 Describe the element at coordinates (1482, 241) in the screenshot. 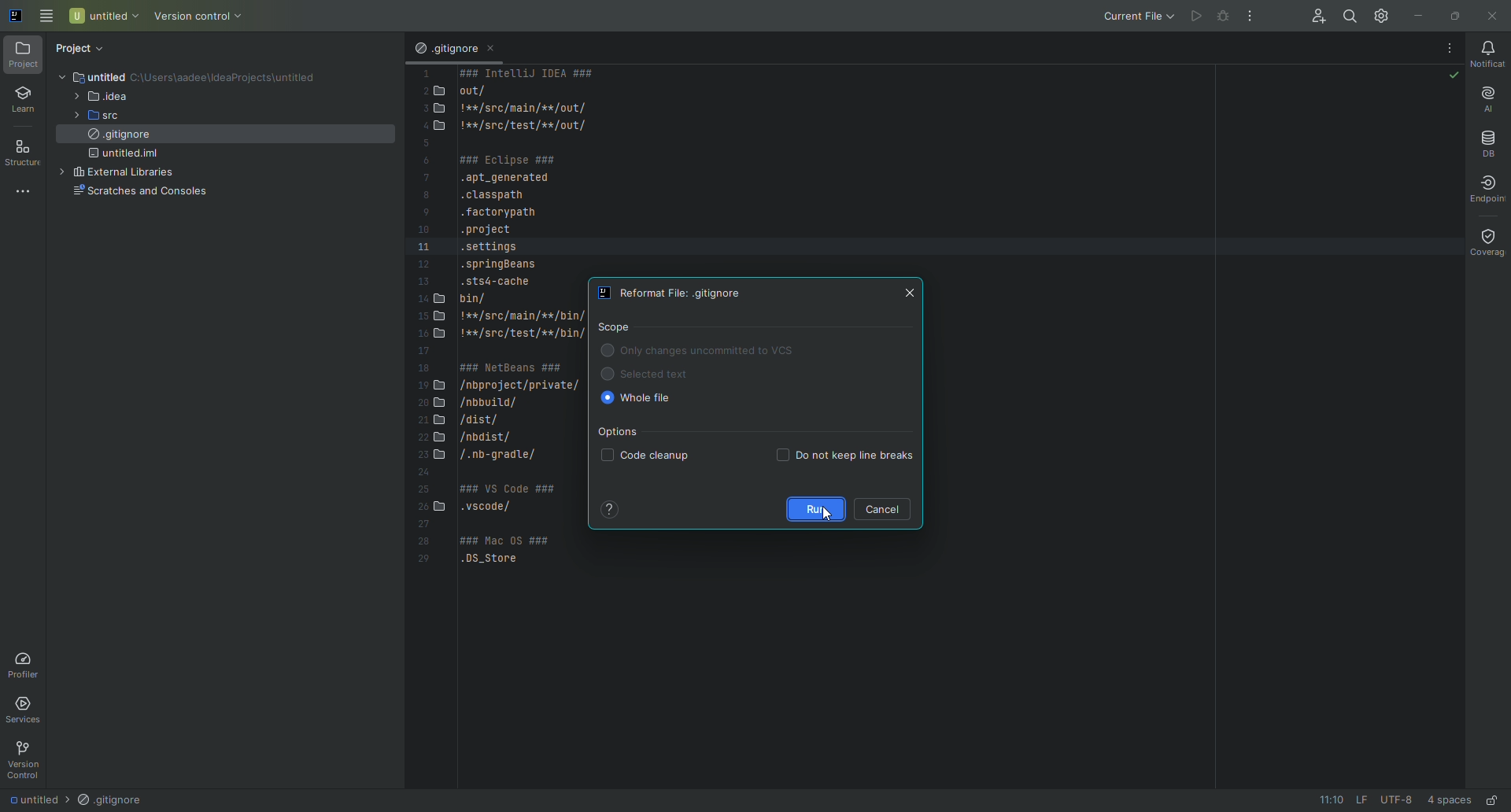

I see `Coverage` at that location.